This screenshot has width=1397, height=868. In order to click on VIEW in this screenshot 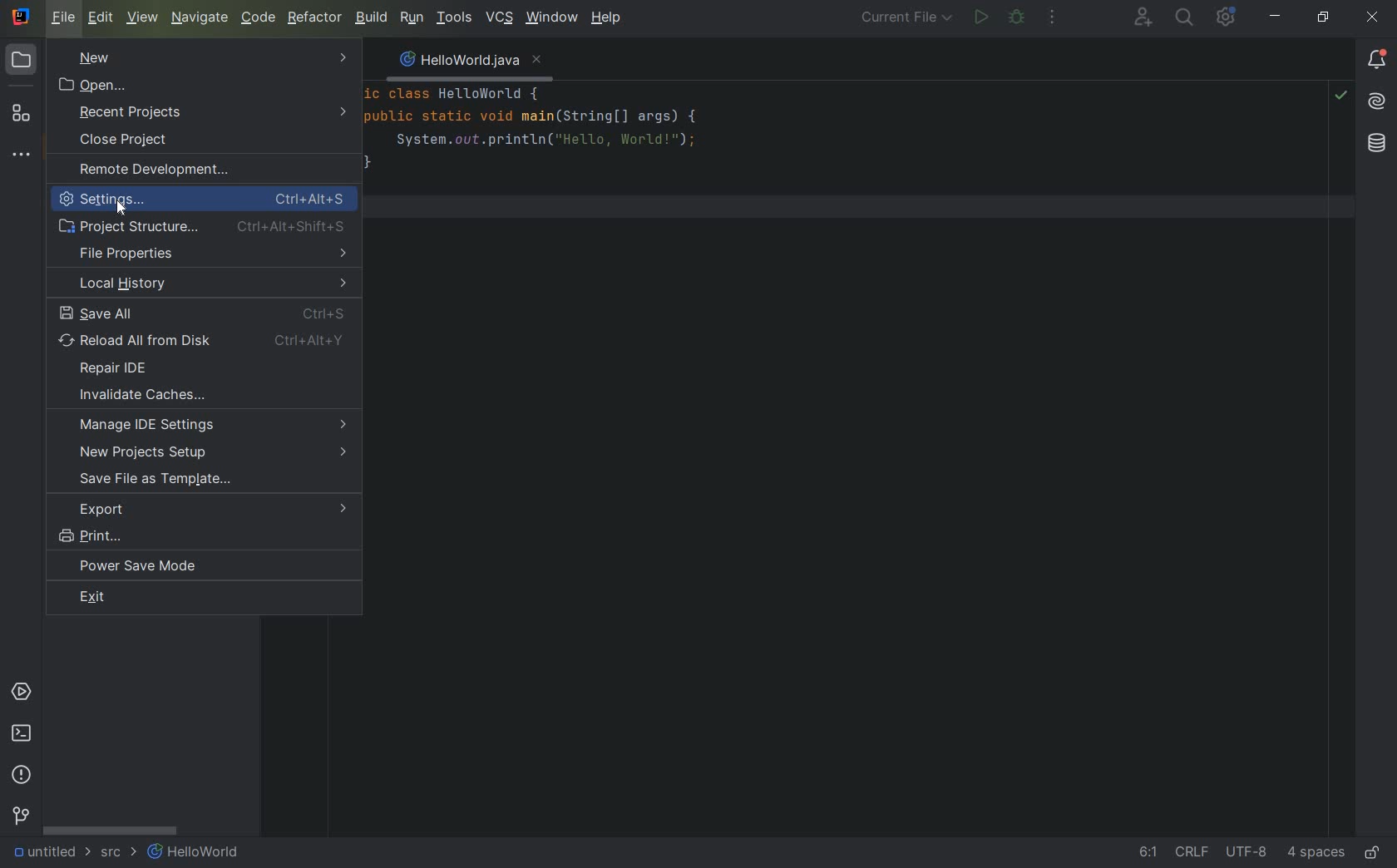, I will do `click(143, 17)`.